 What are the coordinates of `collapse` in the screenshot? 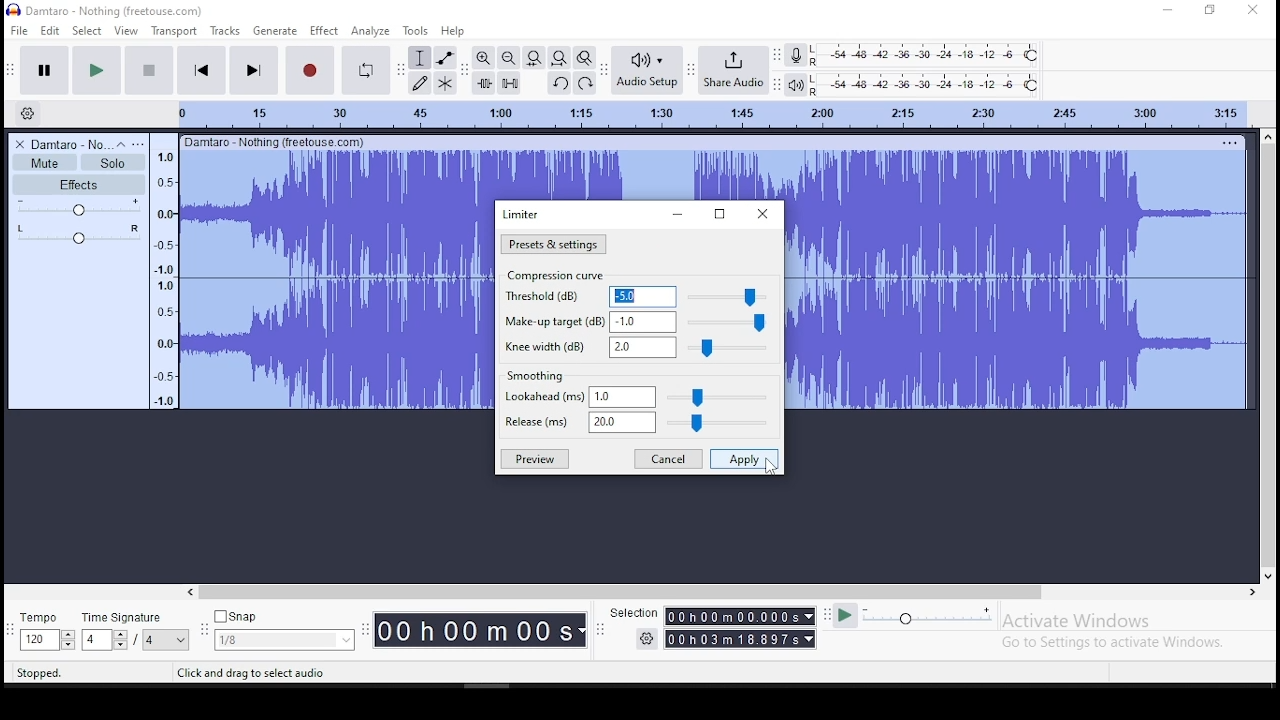 It's located at (121, 143).